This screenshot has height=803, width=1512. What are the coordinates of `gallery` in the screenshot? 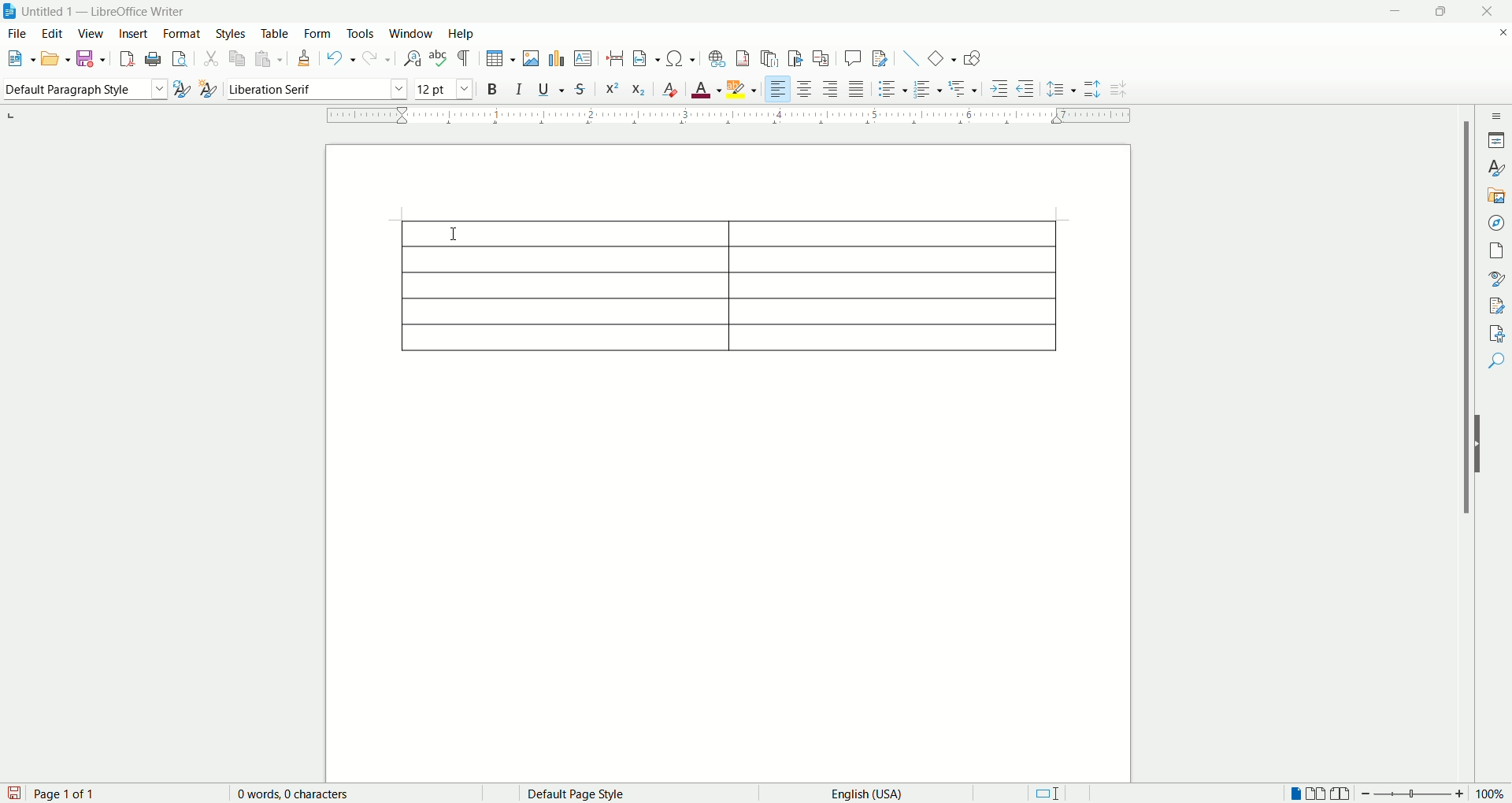 It's located at (1496, 196).